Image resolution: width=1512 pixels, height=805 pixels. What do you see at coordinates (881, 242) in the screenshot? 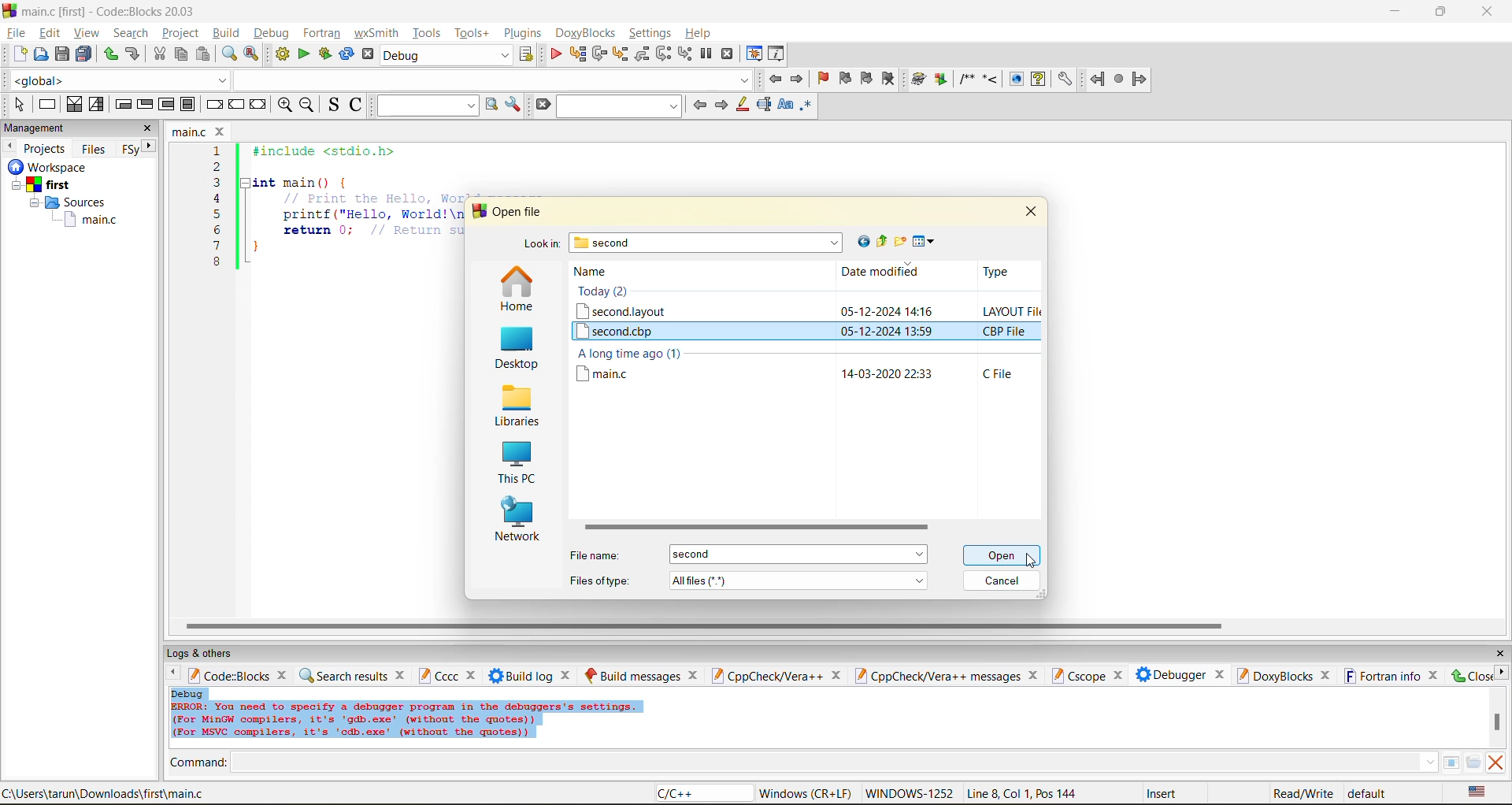
I see `up one level` at bounding box center [881, 242].